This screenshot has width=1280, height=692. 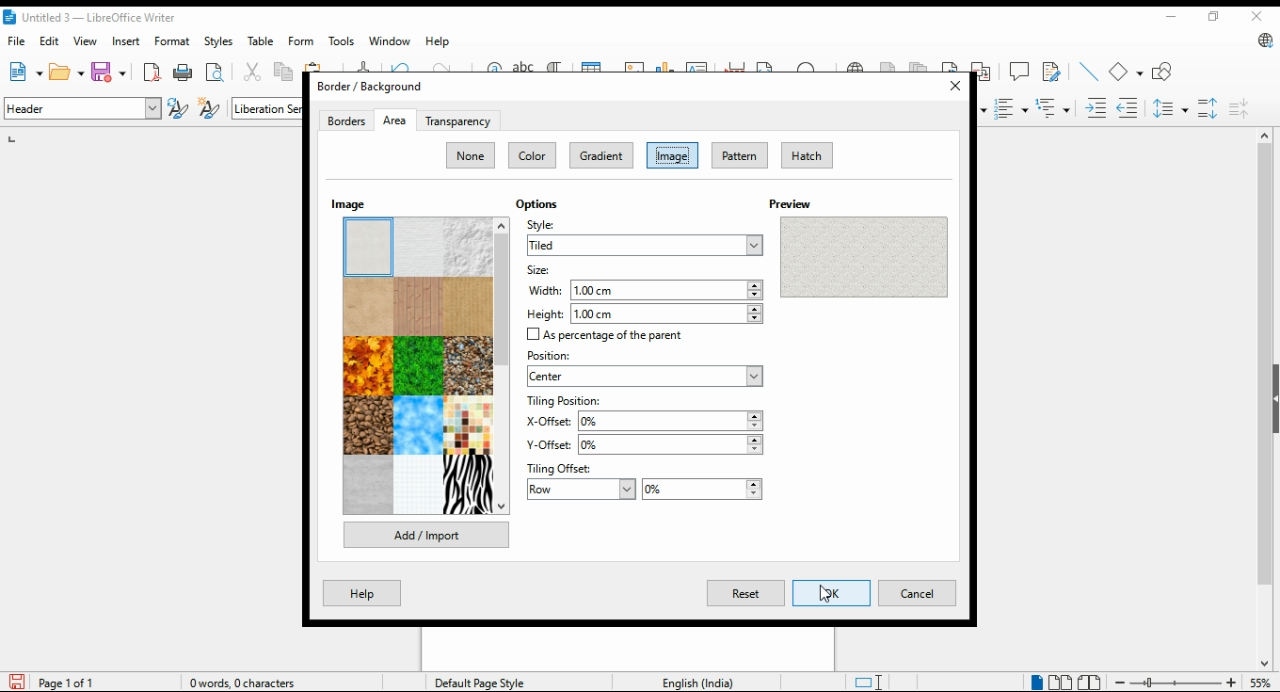 What do you see at coordinates (376, 87) in the screenshot?
I see `border/background window` at bounding box center [376, 87].